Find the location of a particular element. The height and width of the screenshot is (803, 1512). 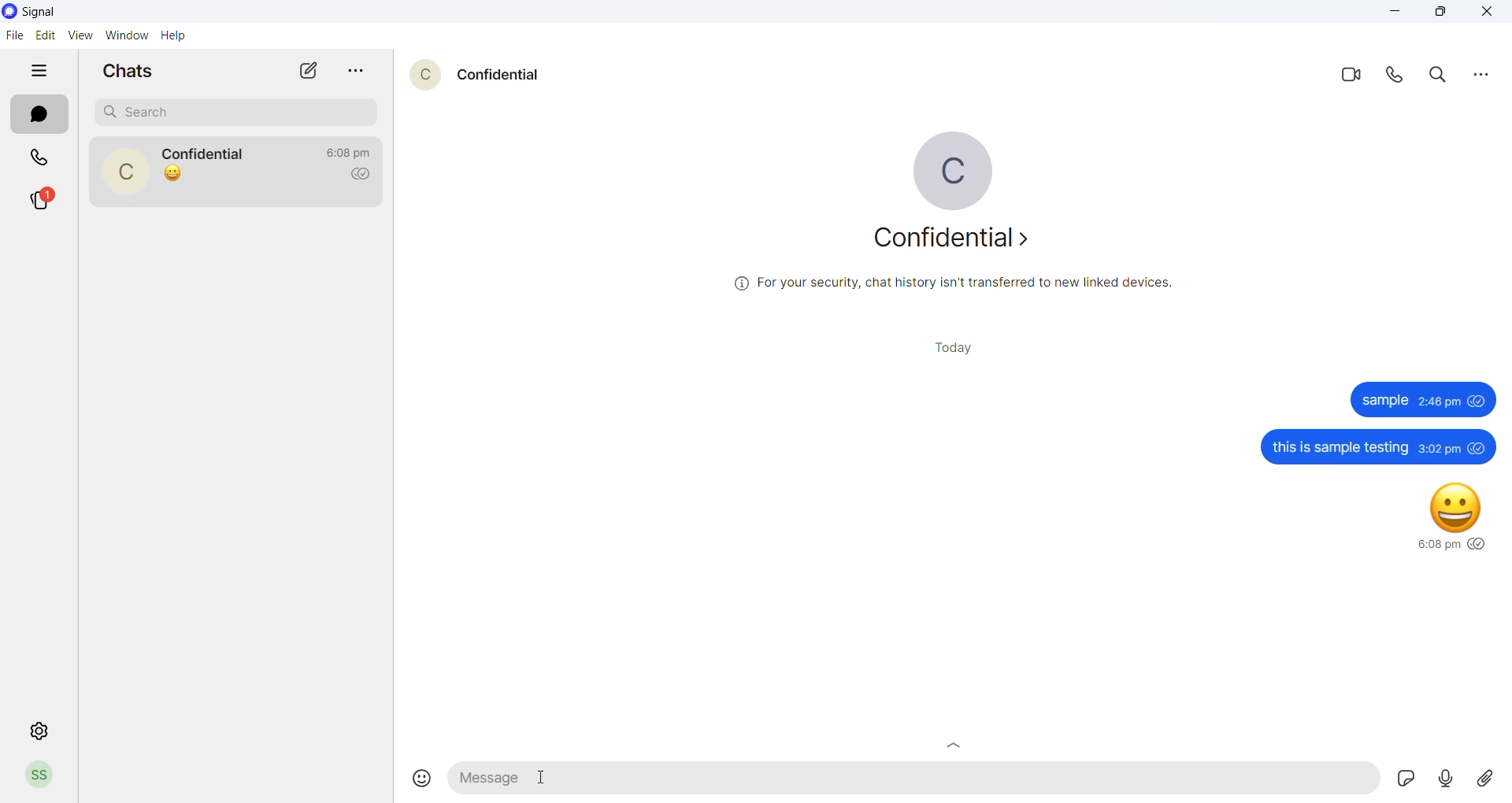

happy emoji is located at coordinates (1436, 516).